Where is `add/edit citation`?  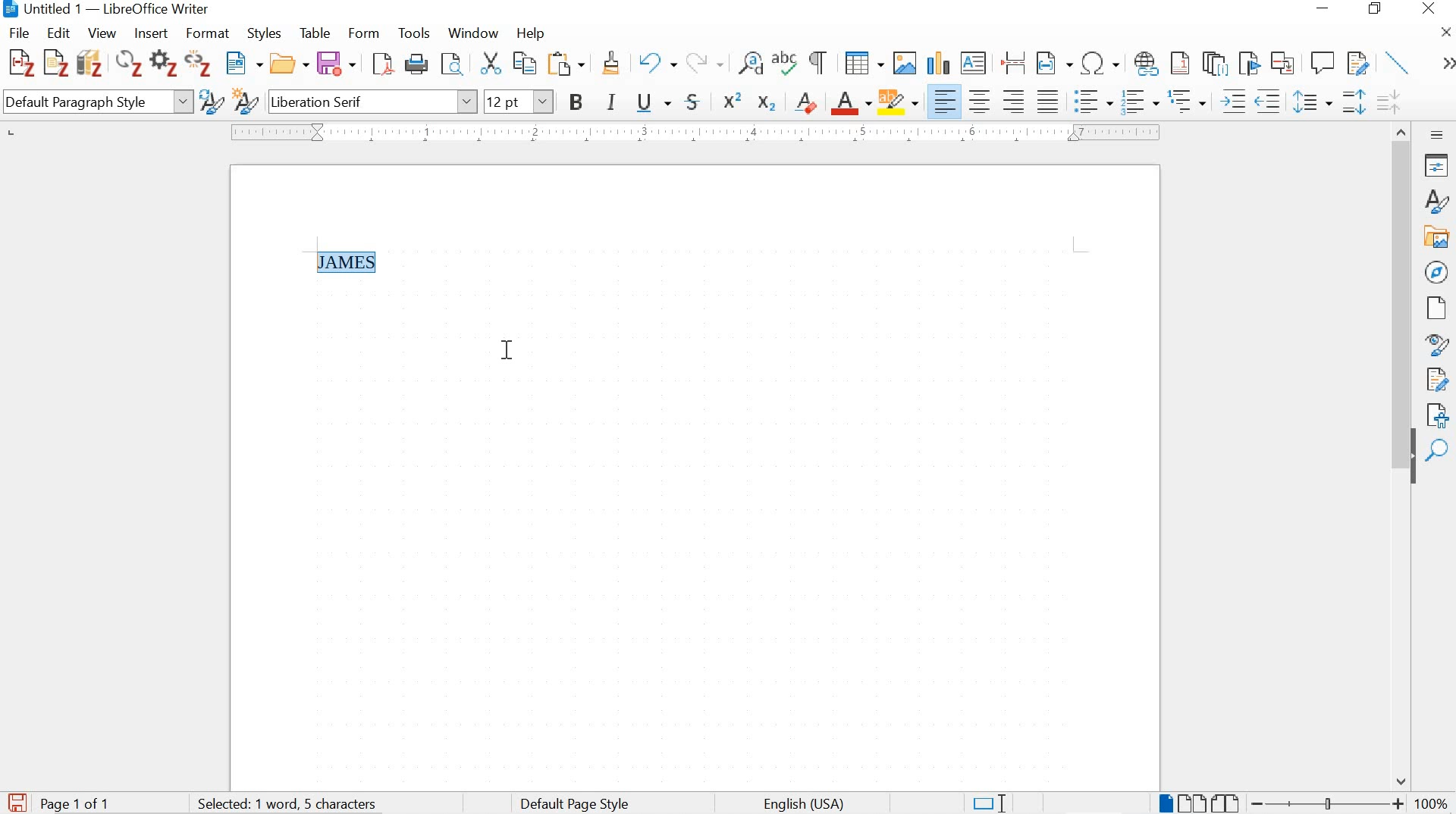 add/edit citation is located at coordinates (21, 64).